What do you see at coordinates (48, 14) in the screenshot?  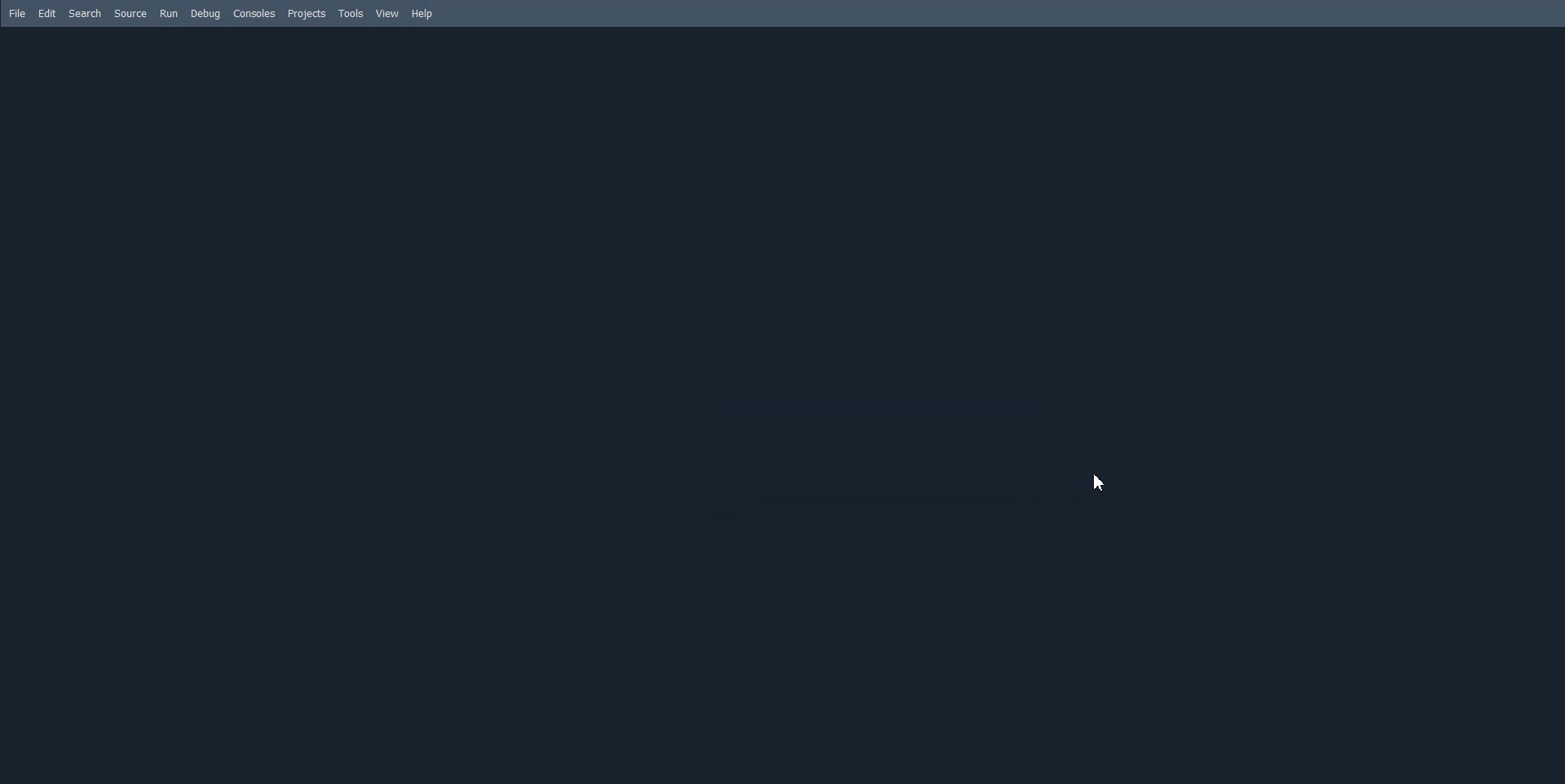 I see `Edit` at bounding box center [48, 14].